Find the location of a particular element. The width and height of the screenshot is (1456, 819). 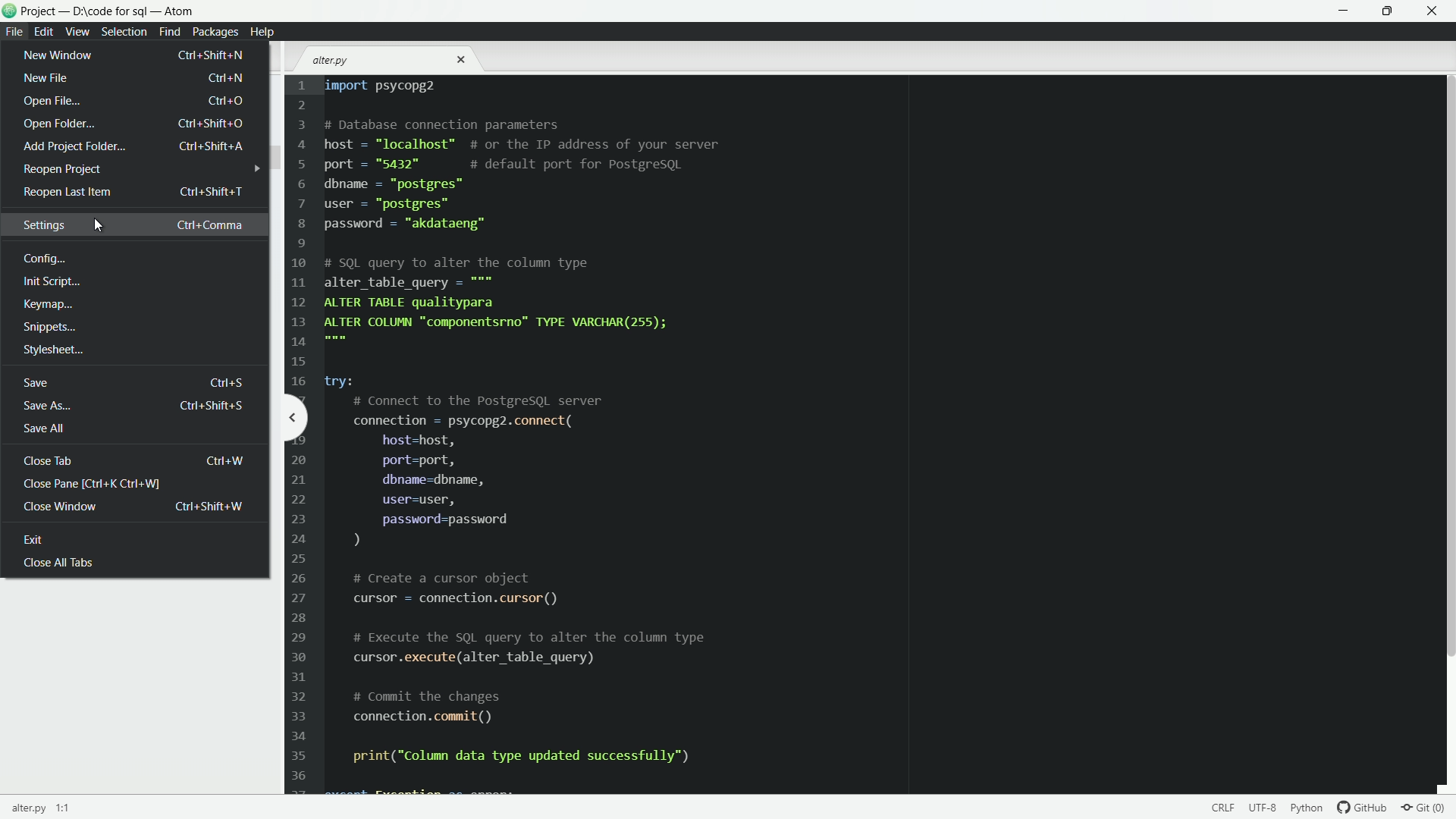

selection menu is located at coordinates (124, 33).